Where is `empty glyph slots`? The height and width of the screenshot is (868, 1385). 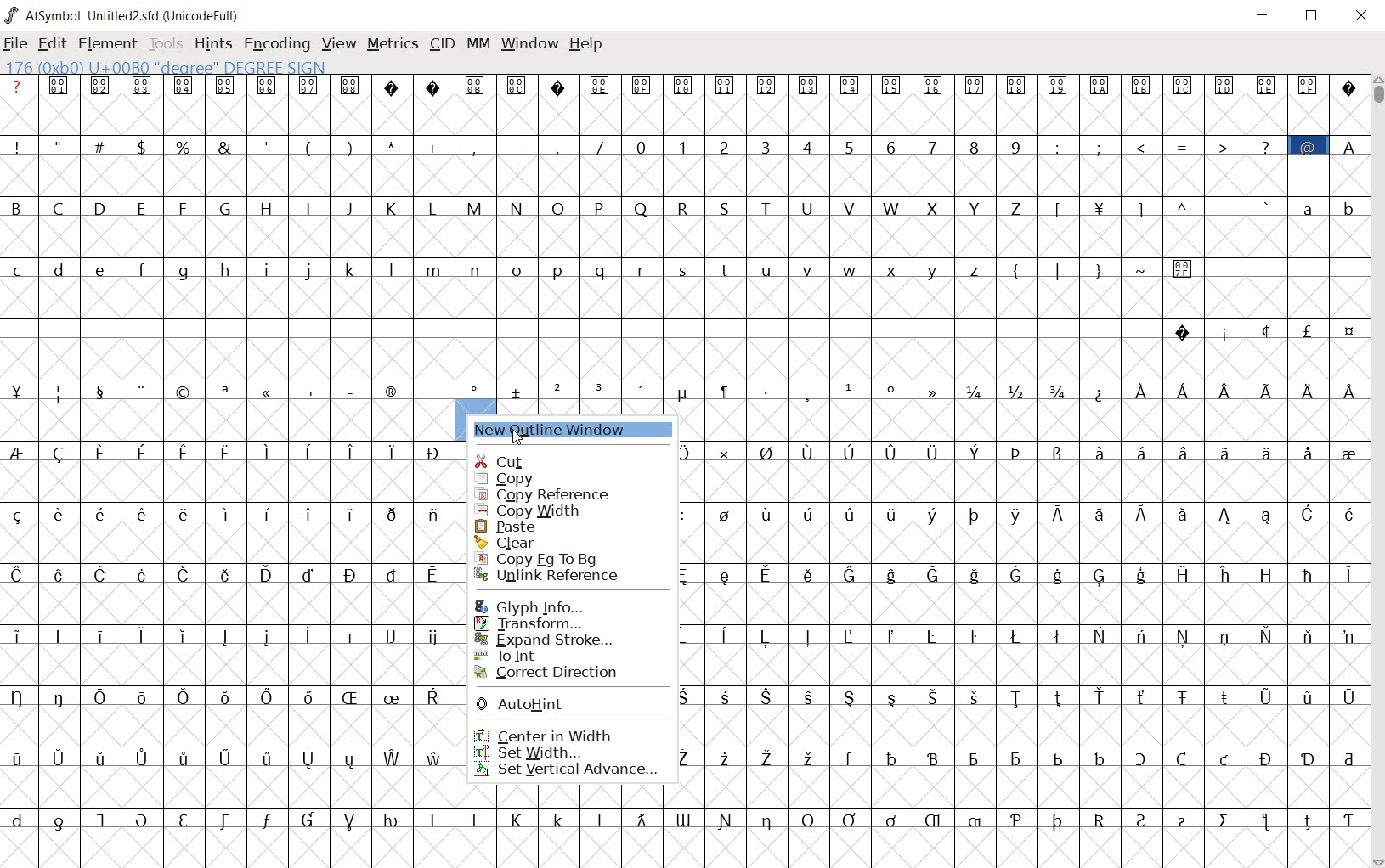 empty glyph slots is located at coordinates (230, 421).